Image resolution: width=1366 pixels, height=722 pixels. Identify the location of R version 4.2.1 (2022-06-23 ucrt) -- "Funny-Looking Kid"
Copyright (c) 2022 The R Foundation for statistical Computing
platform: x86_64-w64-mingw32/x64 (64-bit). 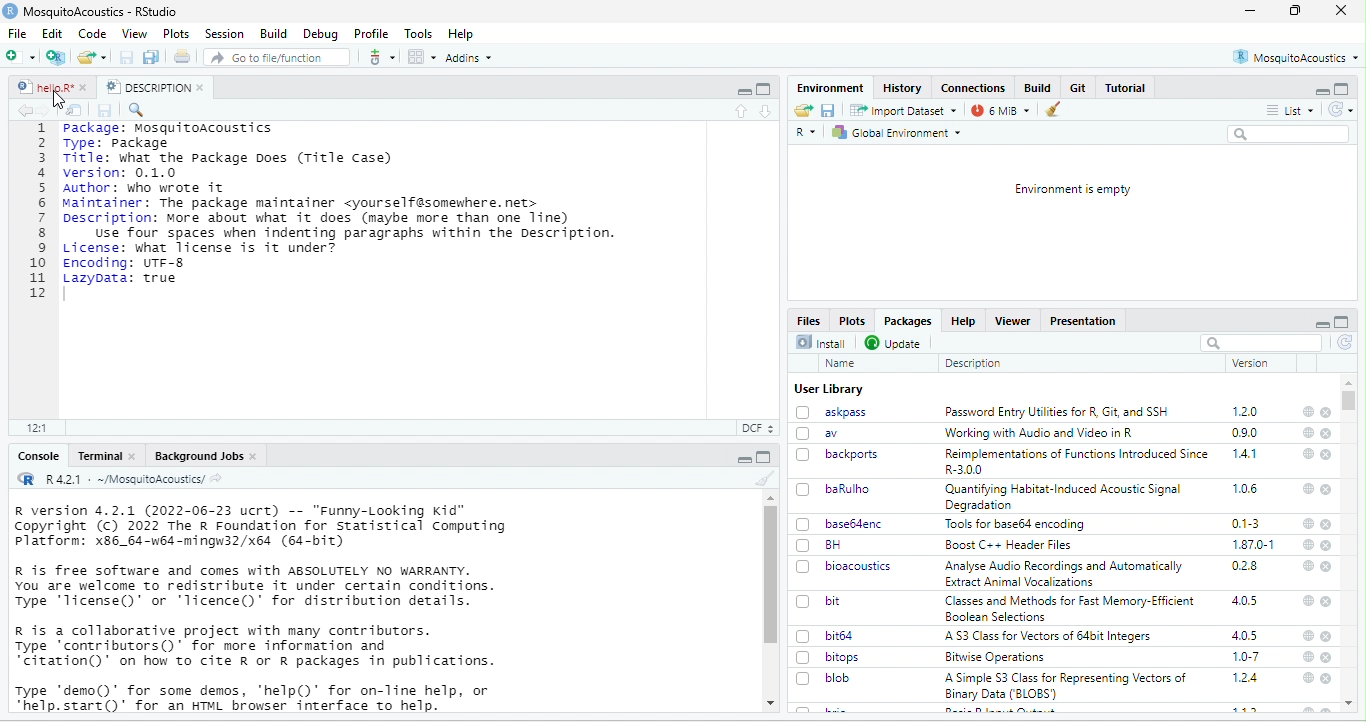
(261, 527).